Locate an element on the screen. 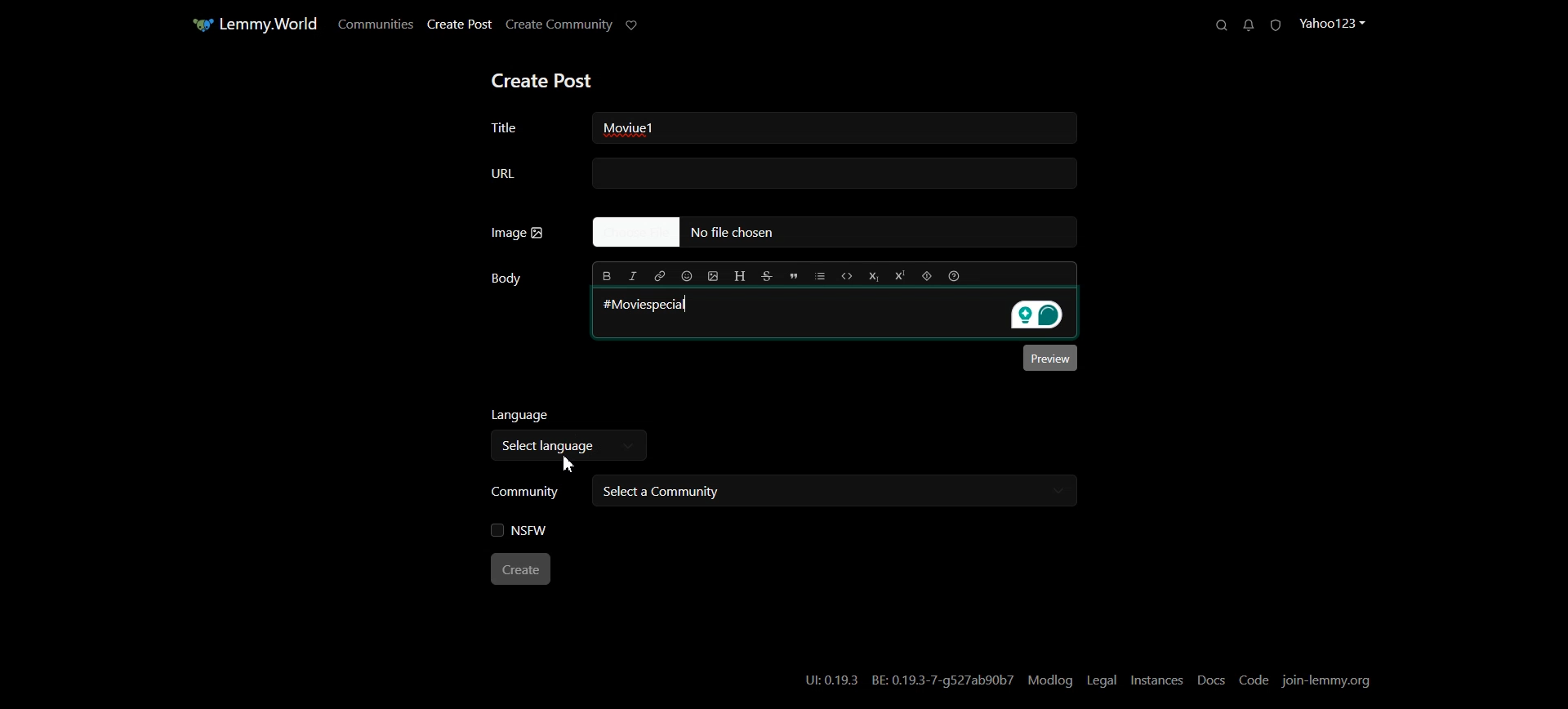 The height and width of the screenshot is (709, 1568). Formatting help is located at coordinates (954, 275).